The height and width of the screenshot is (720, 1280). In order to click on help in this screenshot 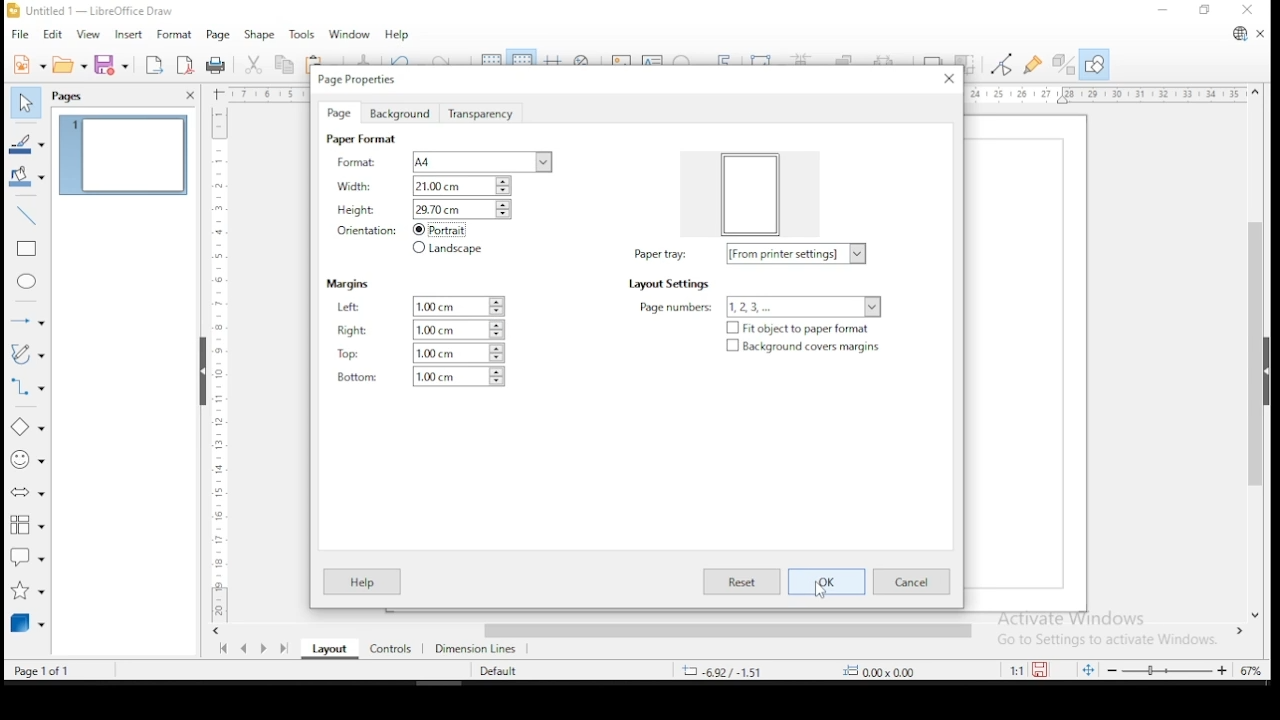, I will do `click(364, 583)`.